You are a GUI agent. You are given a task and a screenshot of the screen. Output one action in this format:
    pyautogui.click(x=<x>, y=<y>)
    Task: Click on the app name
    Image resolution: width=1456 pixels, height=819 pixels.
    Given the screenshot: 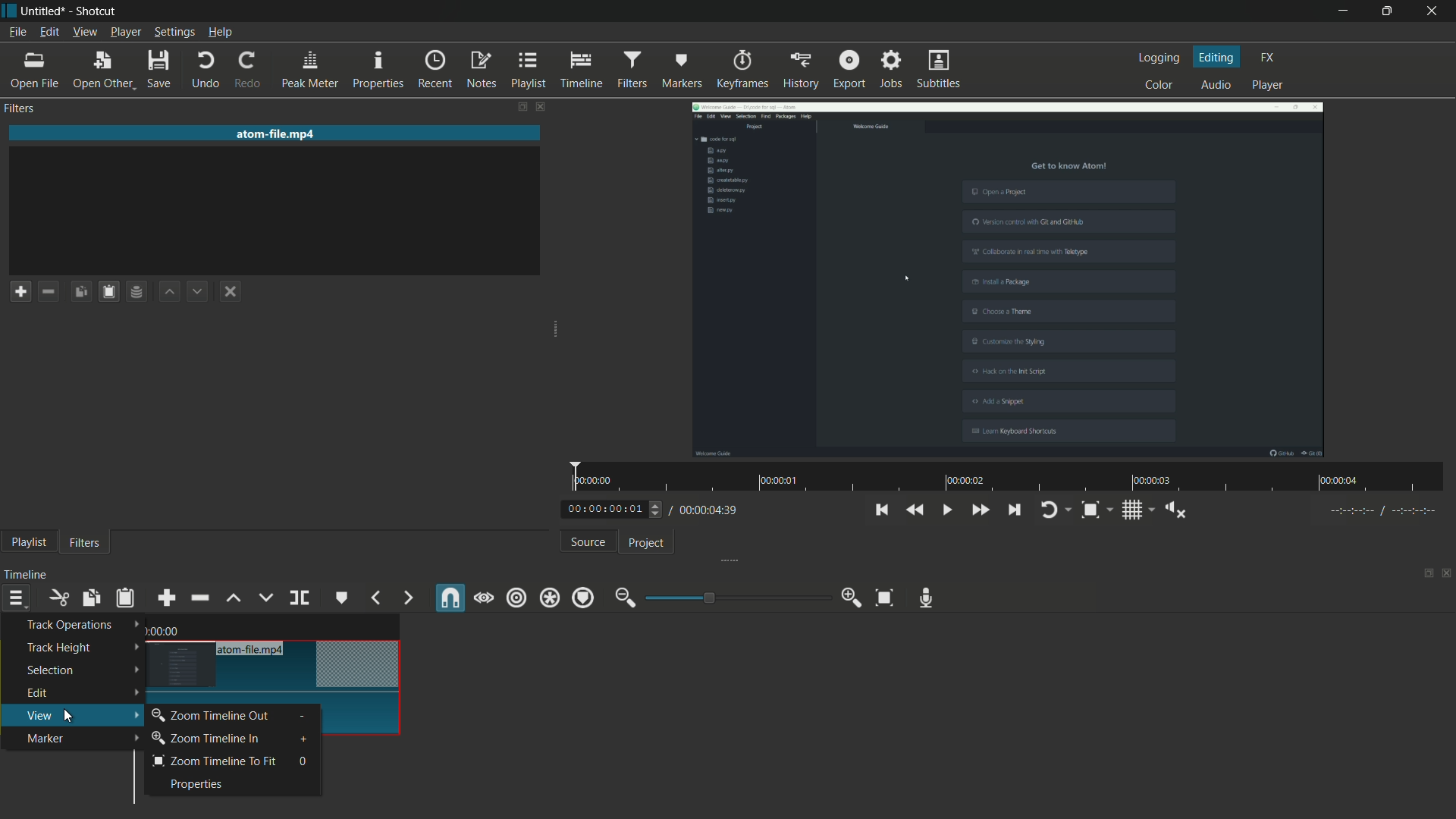 What is the action you would take?
    pyautogui.click(x=99, y=12)
    